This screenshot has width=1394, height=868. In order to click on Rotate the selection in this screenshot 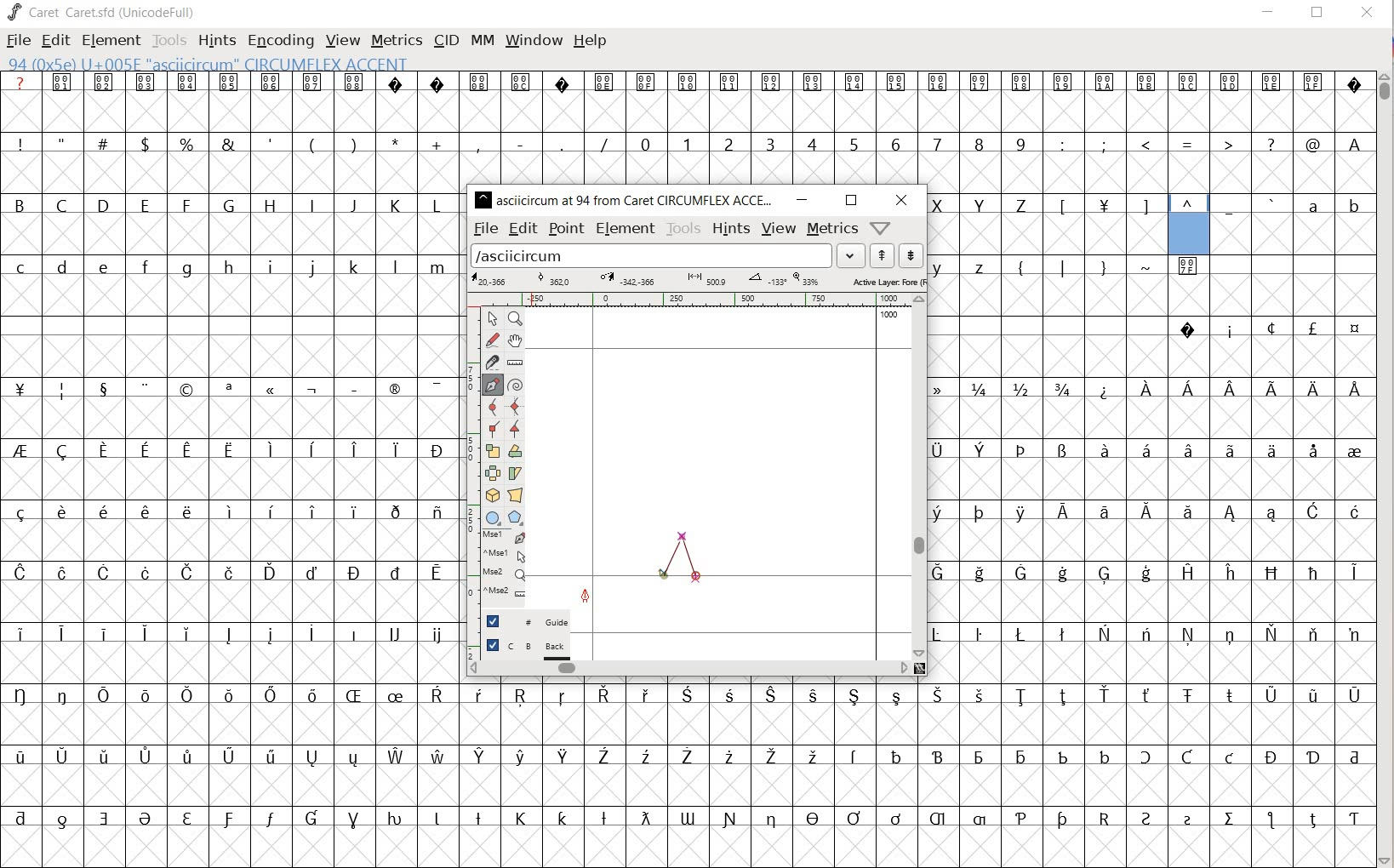, I will do `click(514, 452)`.